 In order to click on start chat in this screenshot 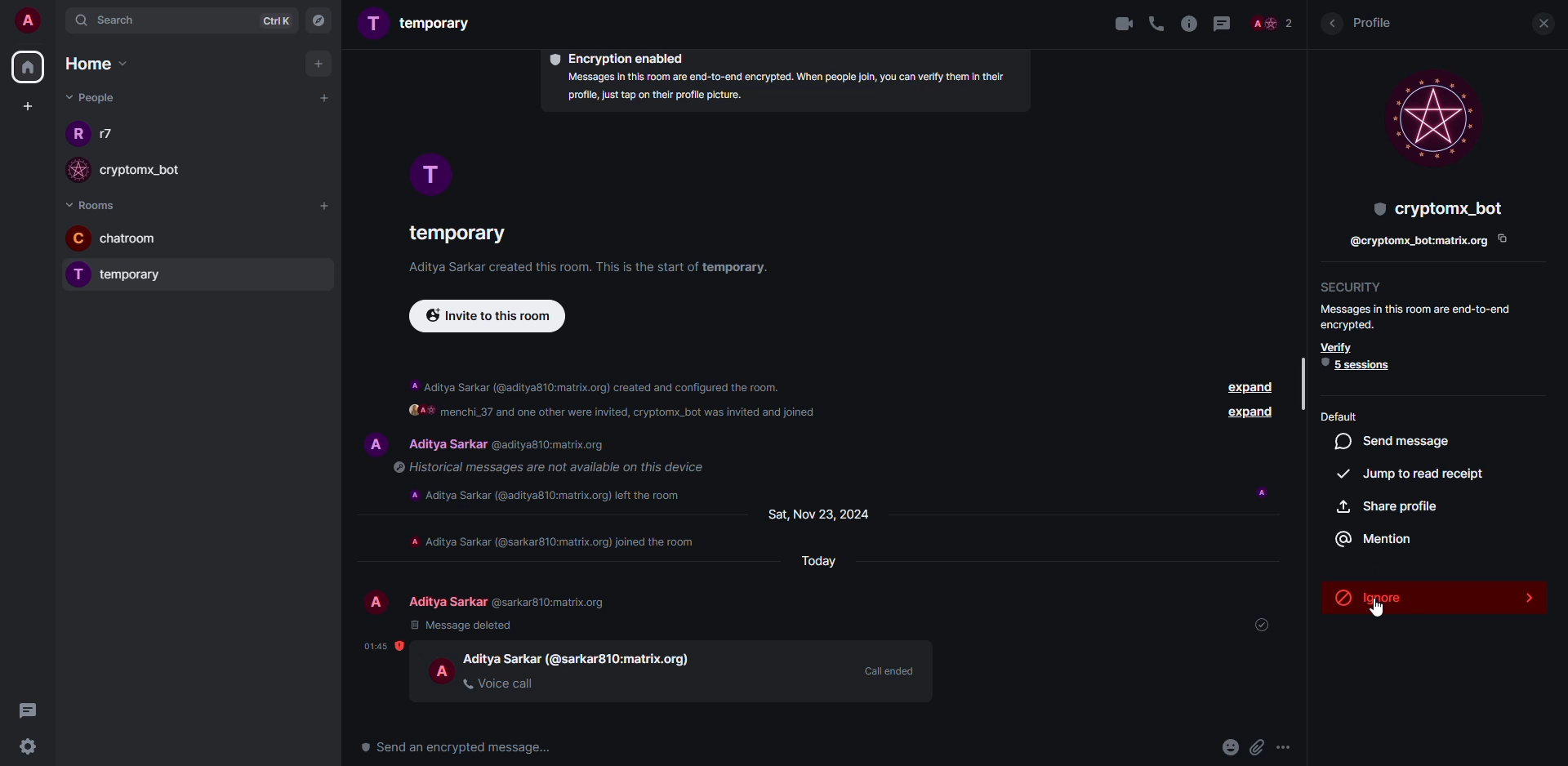, I will do `click(323, 97)`.